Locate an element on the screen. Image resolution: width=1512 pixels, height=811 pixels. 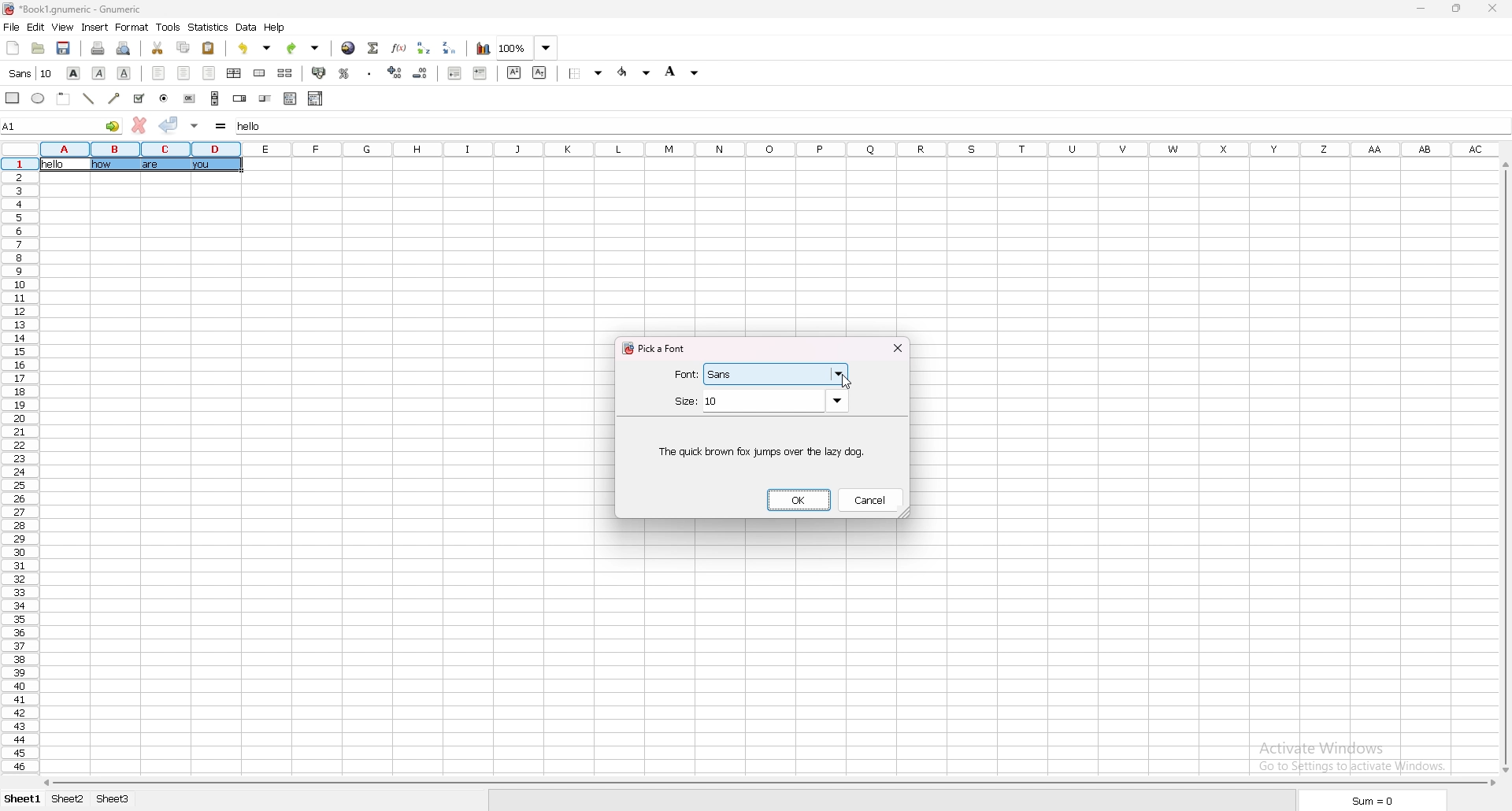
line is located at coordinates (89, 99).